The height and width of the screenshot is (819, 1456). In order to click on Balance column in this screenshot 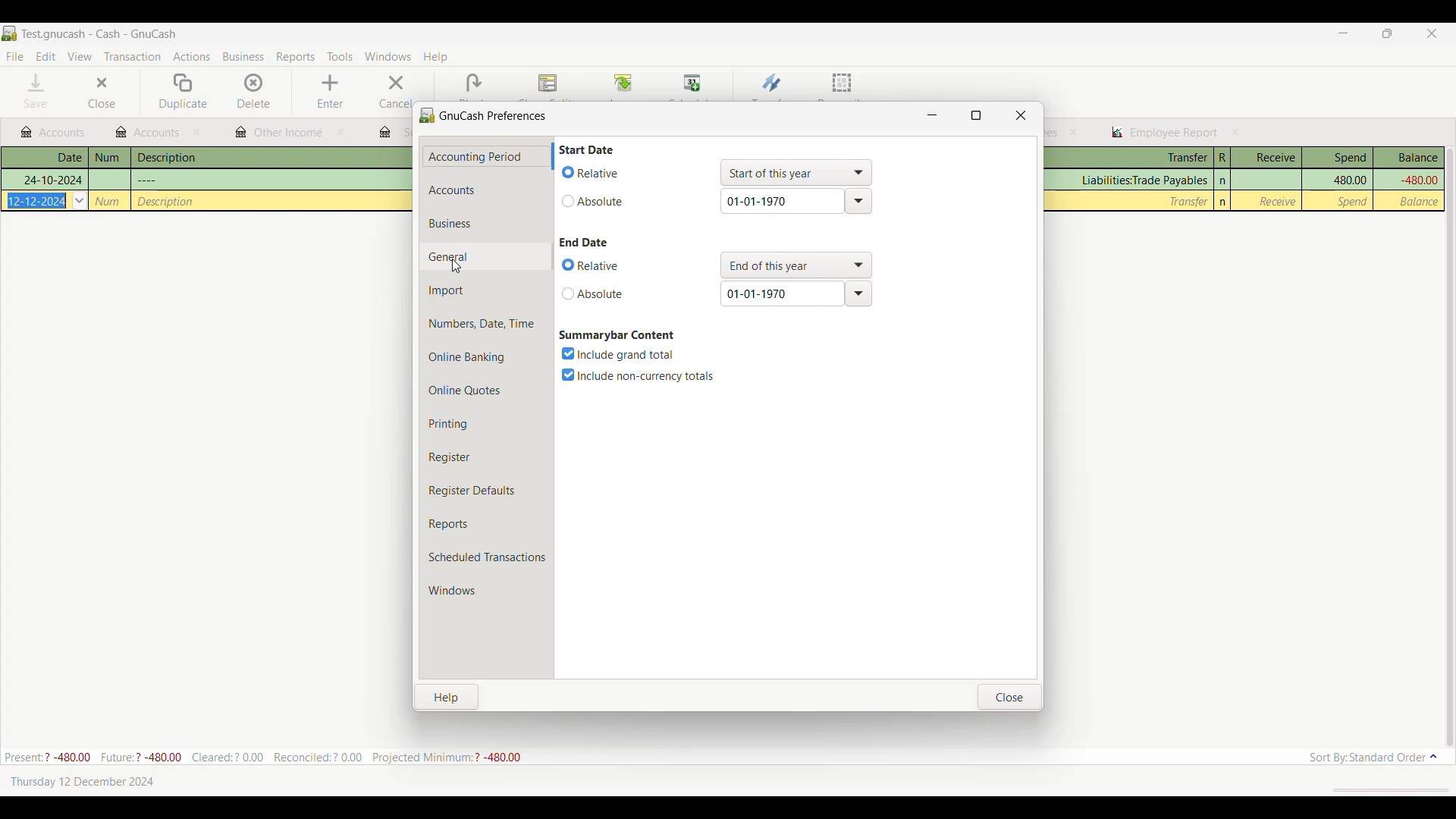, I will do `click(1421, 202)`.